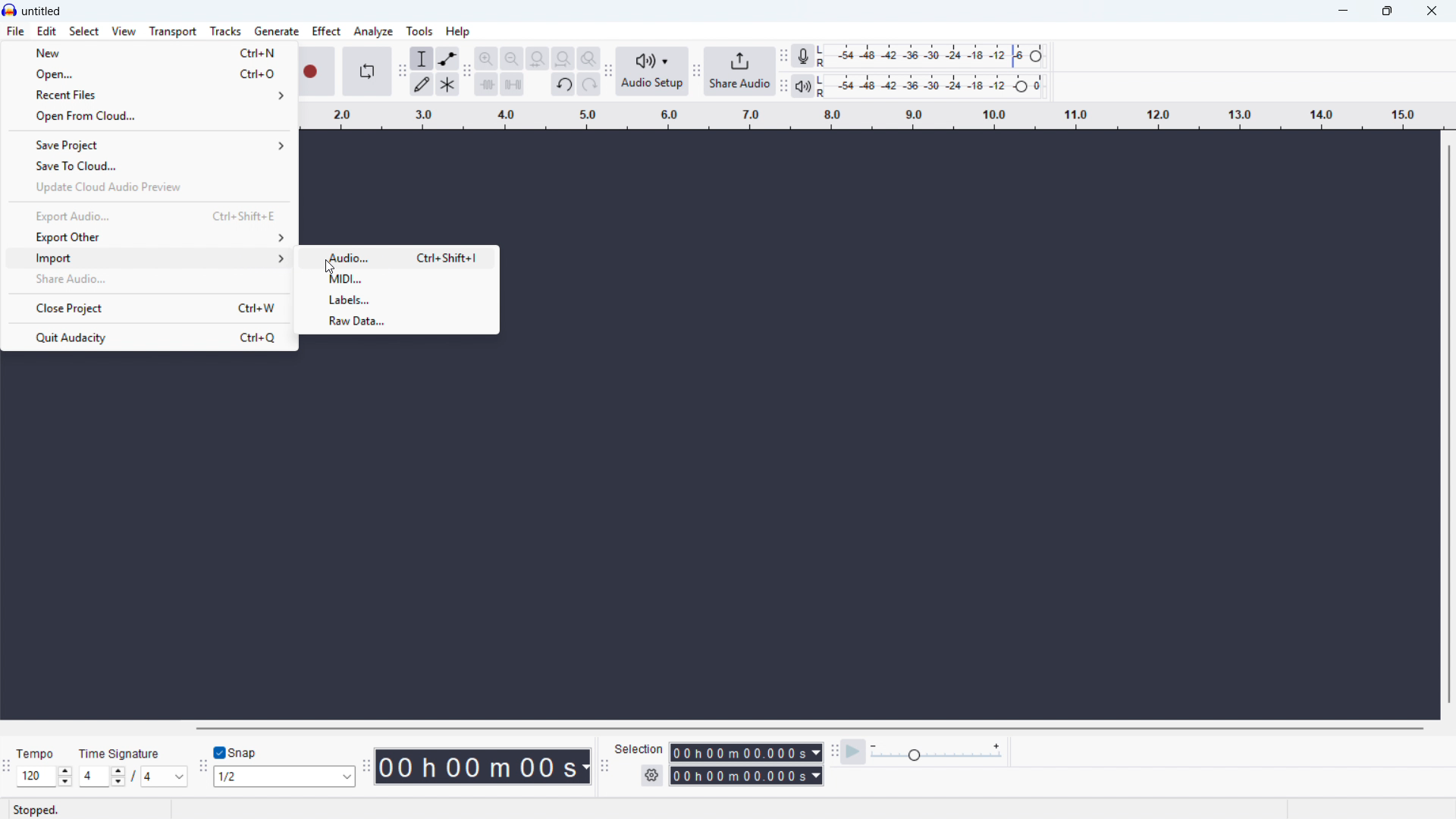 The image size is (1456, 819). I want to click on Set time signature , so click(134, 777).